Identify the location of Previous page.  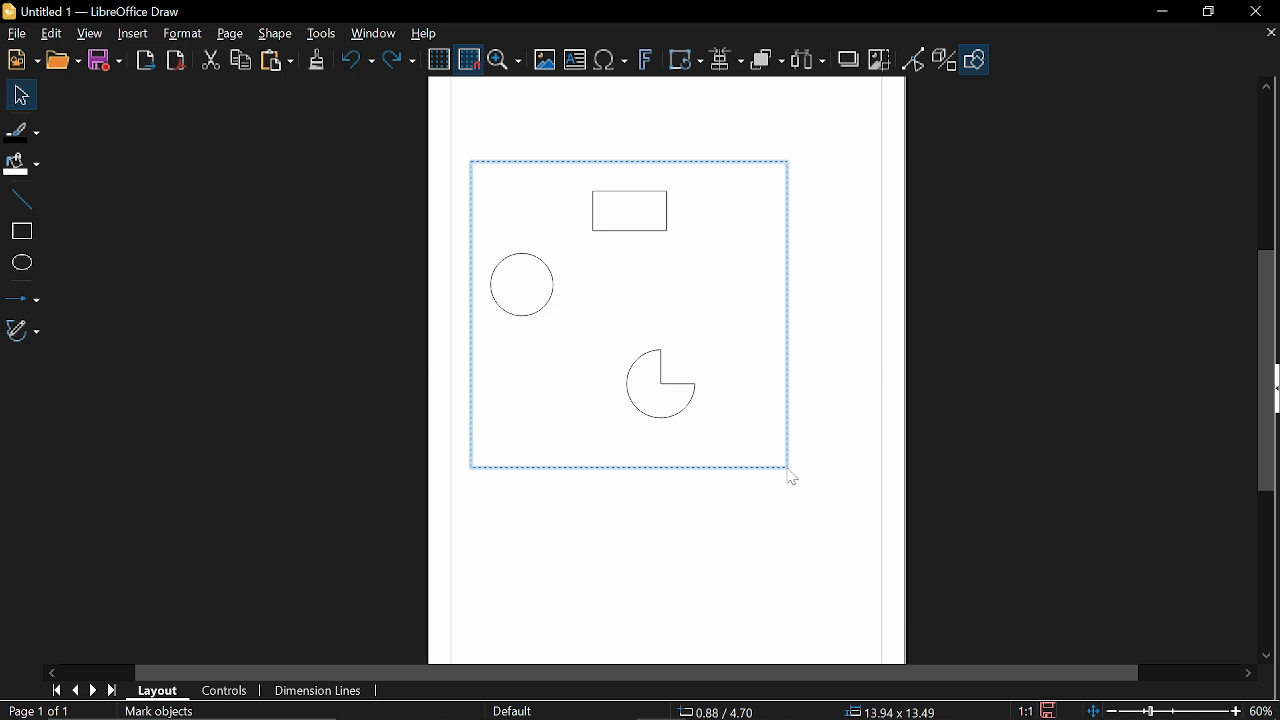
(72, 690).